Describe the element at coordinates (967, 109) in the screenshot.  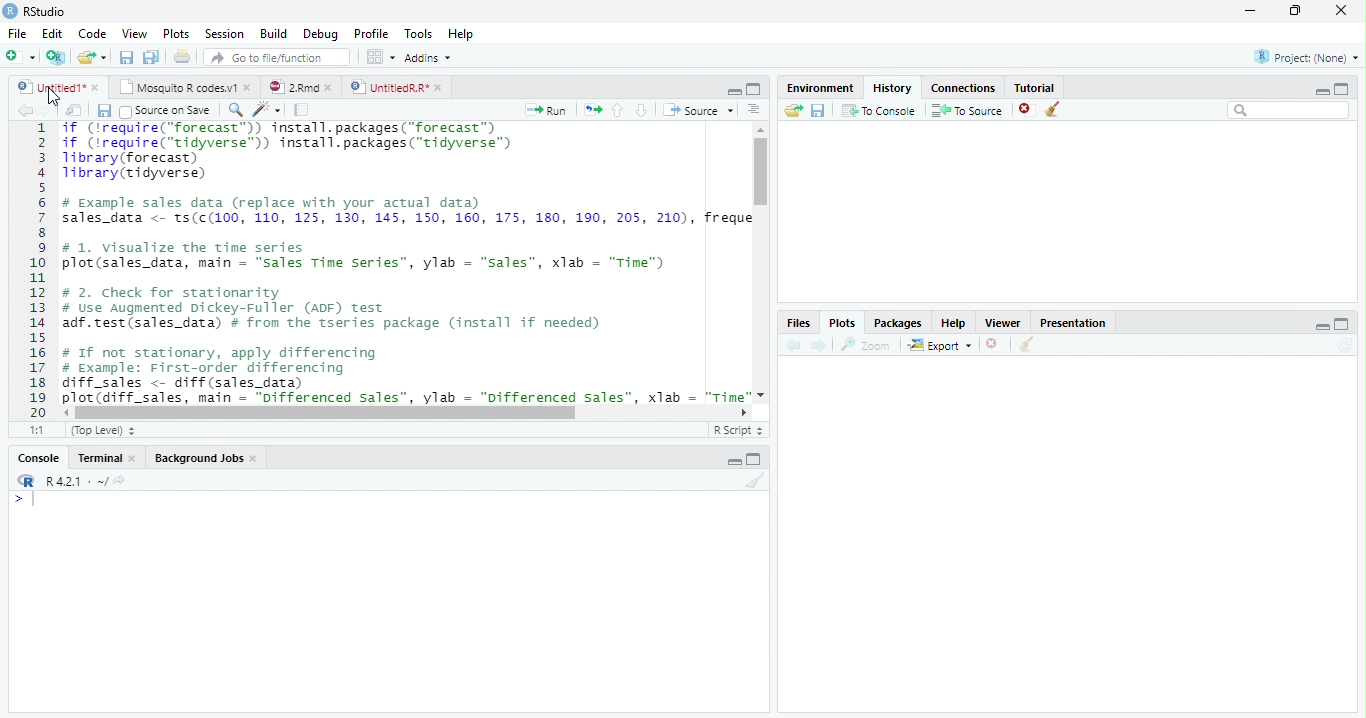
I see `To Source` at that location.